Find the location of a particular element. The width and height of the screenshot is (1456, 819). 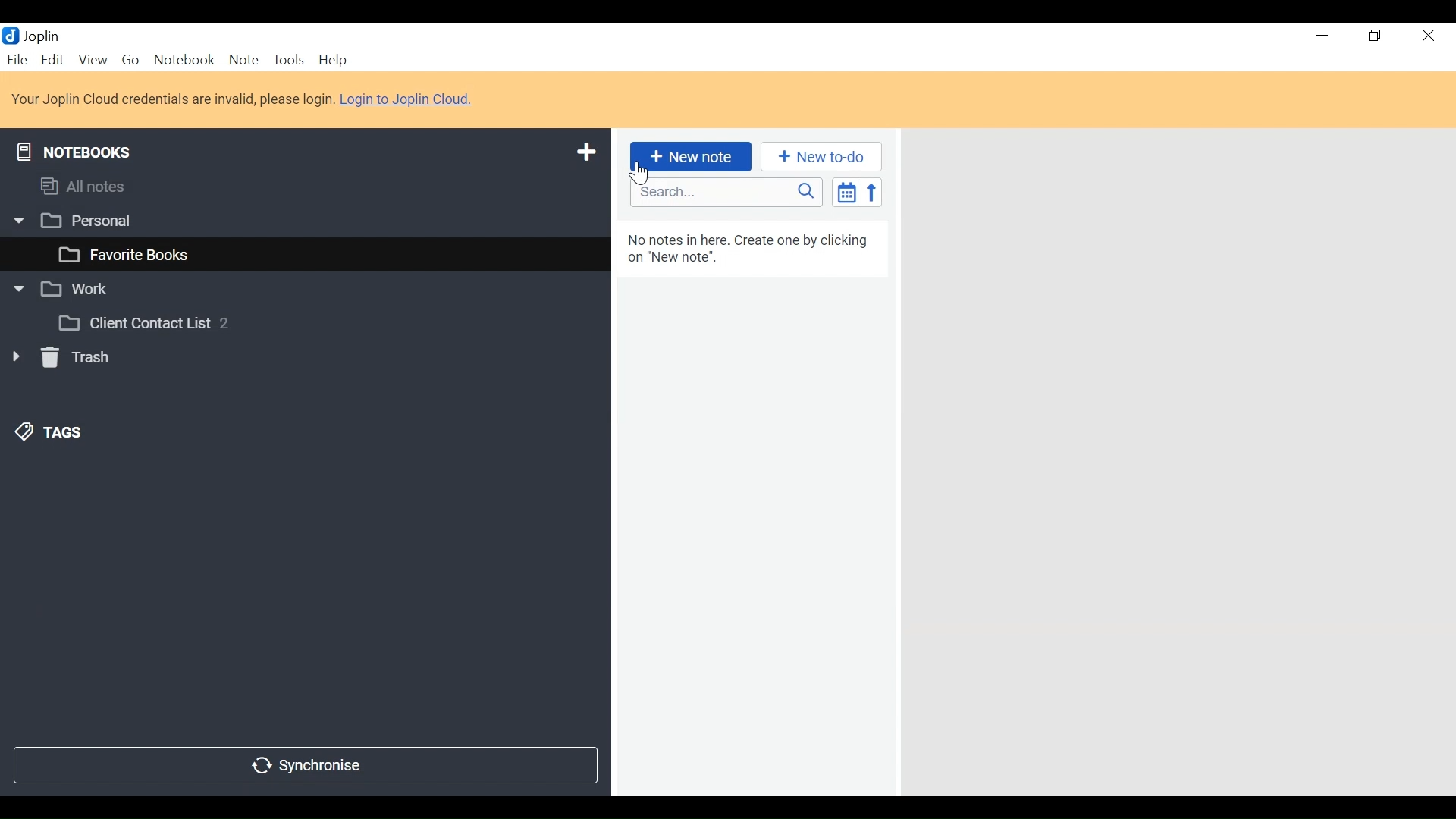

Notebooks is located at coordinates (72, 152).